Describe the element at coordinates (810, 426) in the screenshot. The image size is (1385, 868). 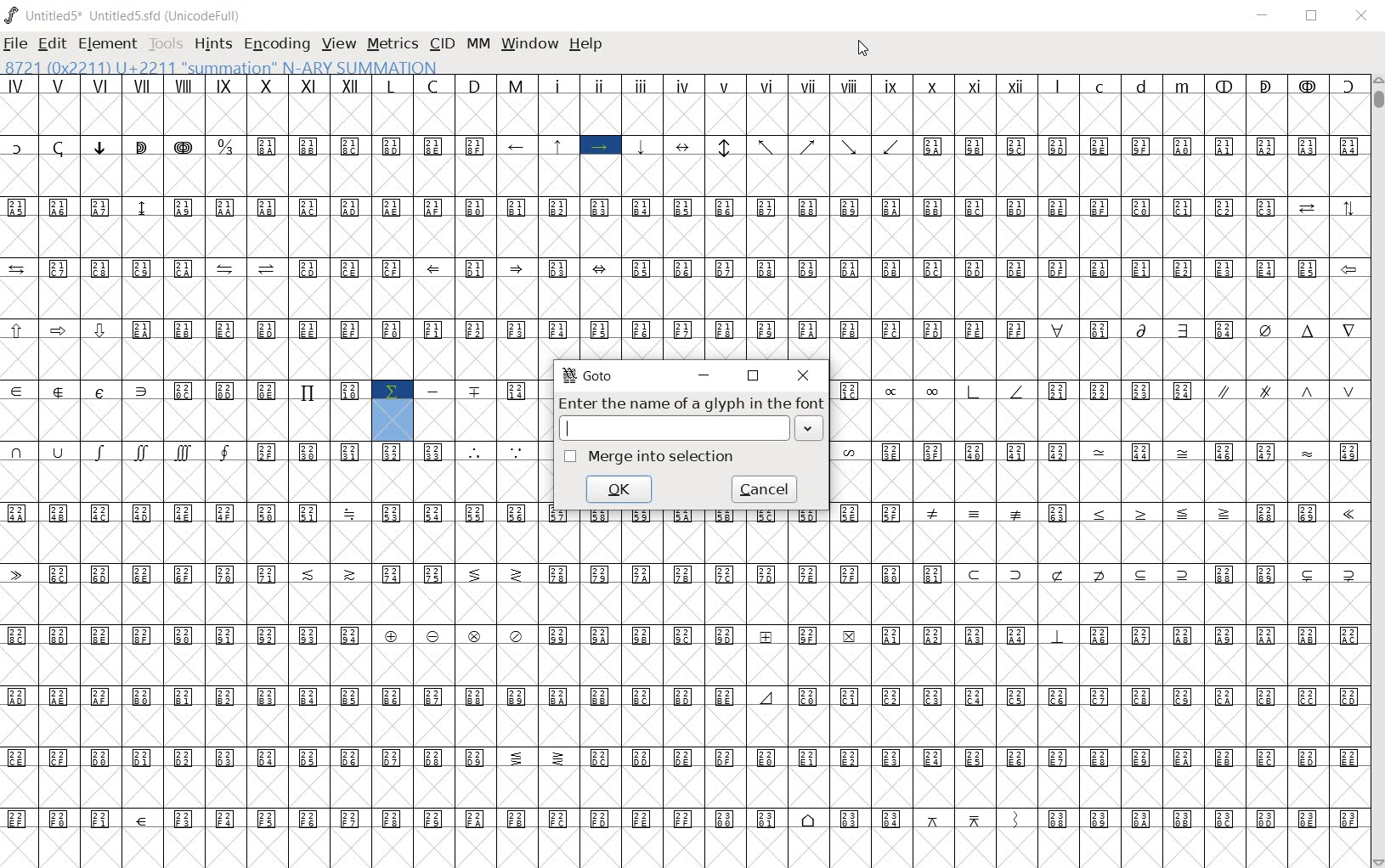
I see `drop down arrow` at that location.